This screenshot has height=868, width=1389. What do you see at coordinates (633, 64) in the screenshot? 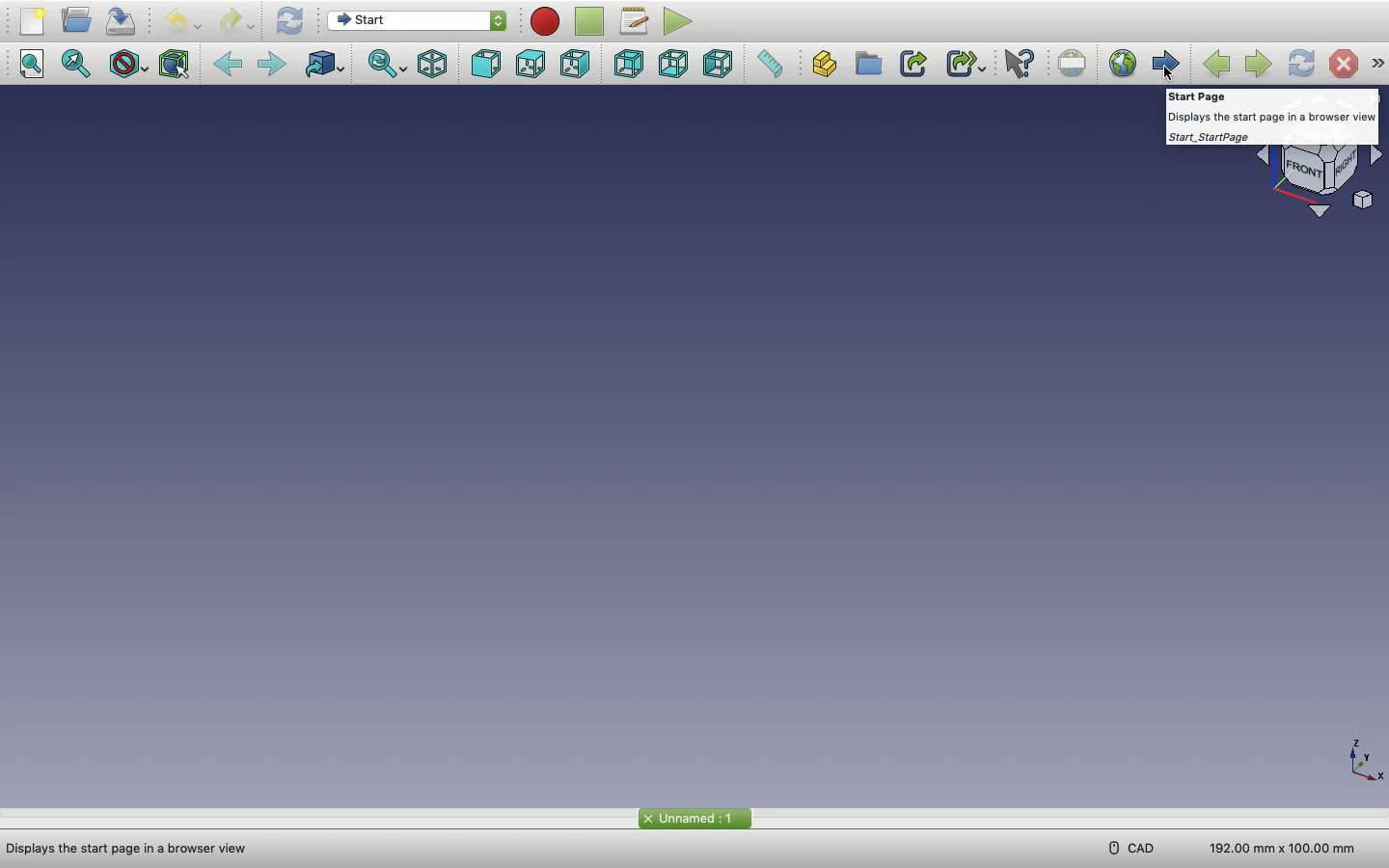
I see `Rear` at bounding box center [633, 64].